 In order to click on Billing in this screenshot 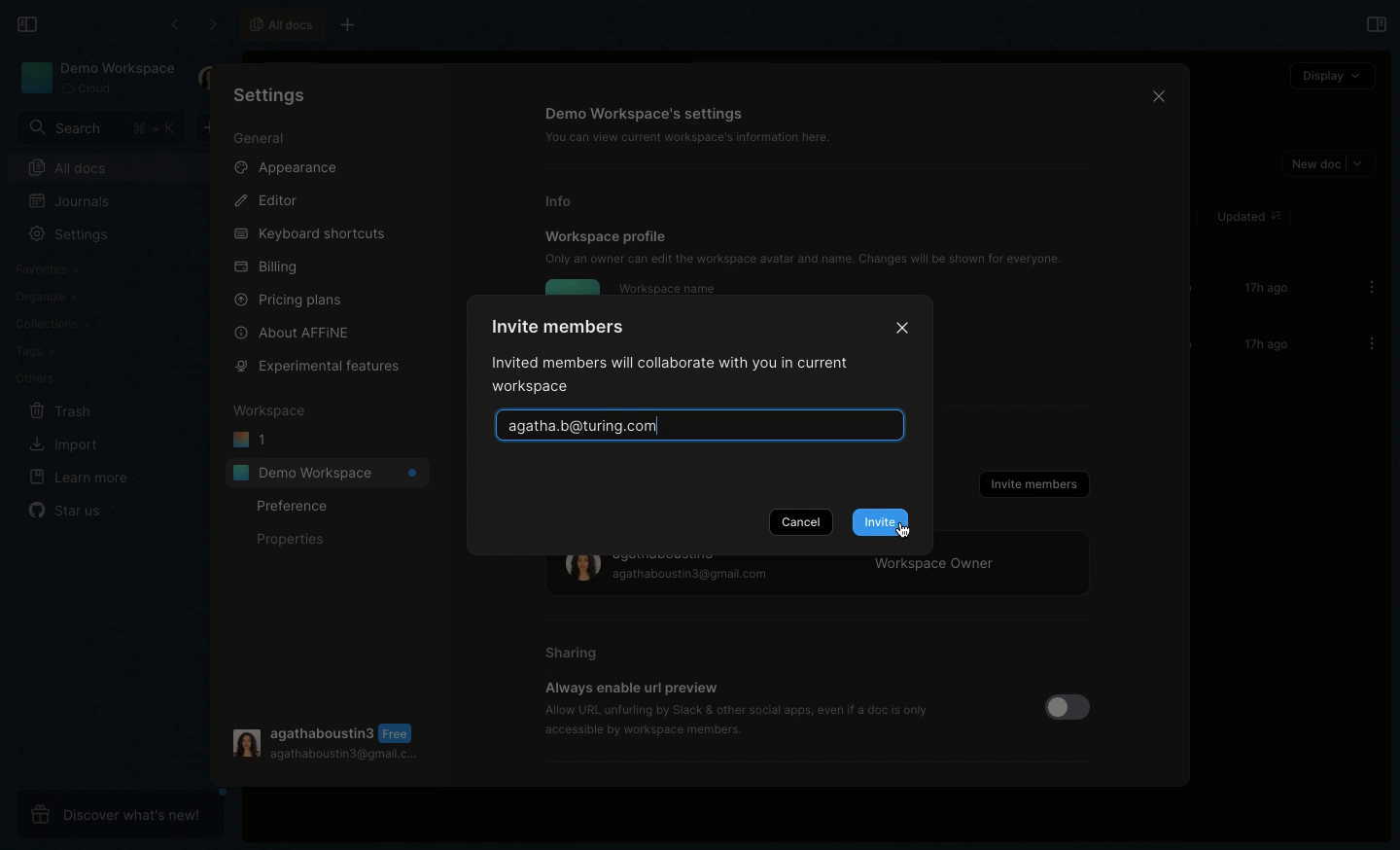, I will do `click(264, 267)`.